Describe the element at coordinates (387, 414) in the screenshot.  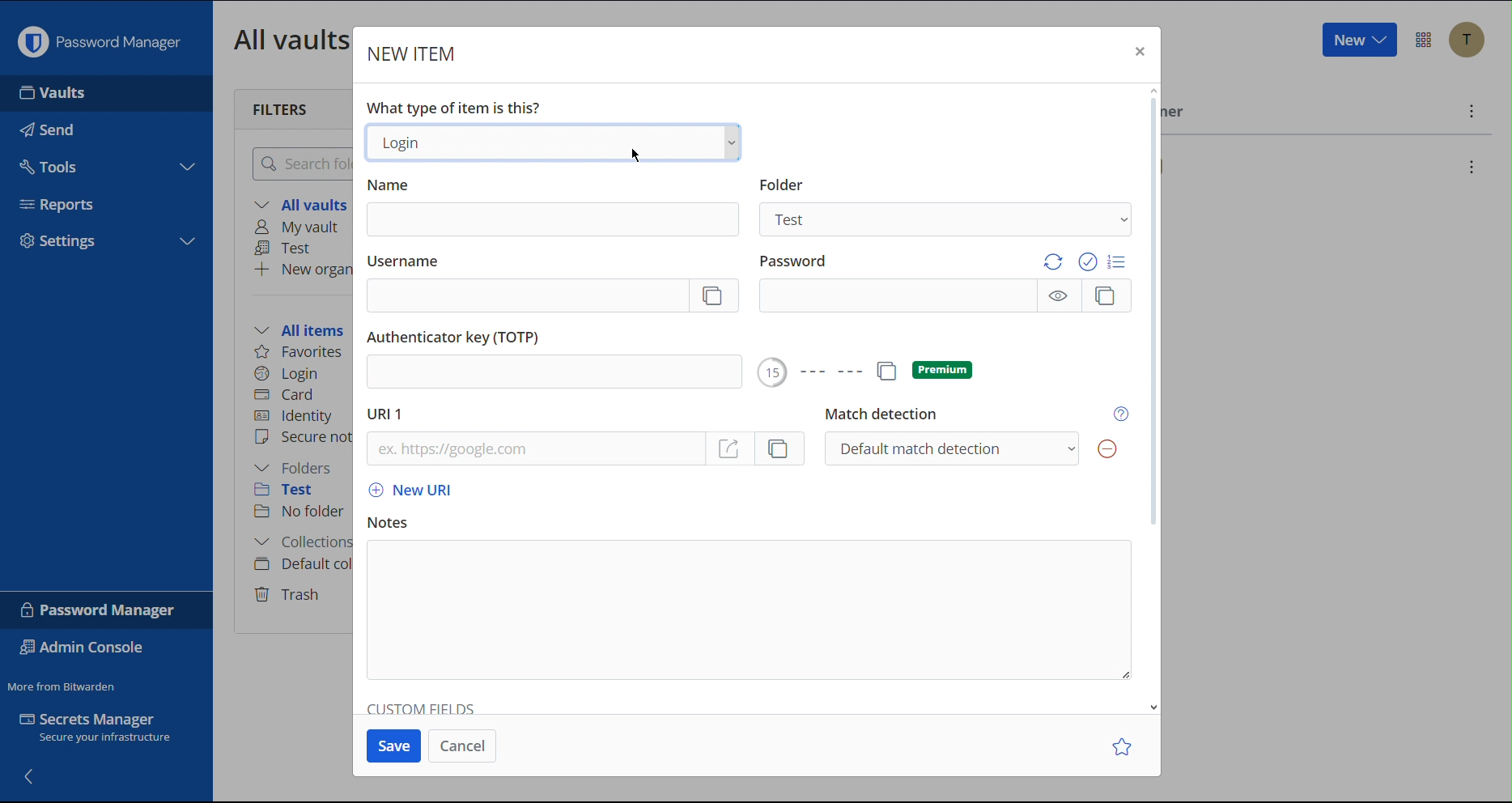
I see `URL 1` at that location.